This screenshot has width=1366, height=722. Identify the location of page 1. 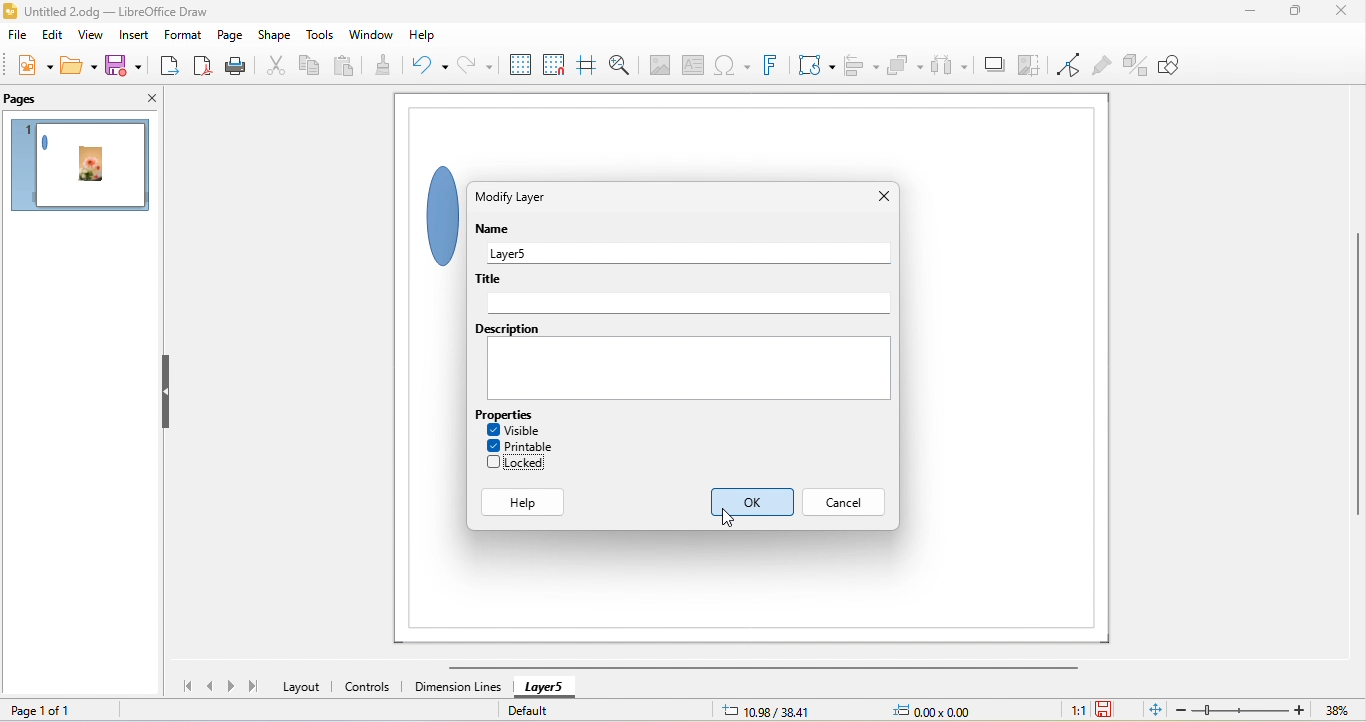
(84, 169).